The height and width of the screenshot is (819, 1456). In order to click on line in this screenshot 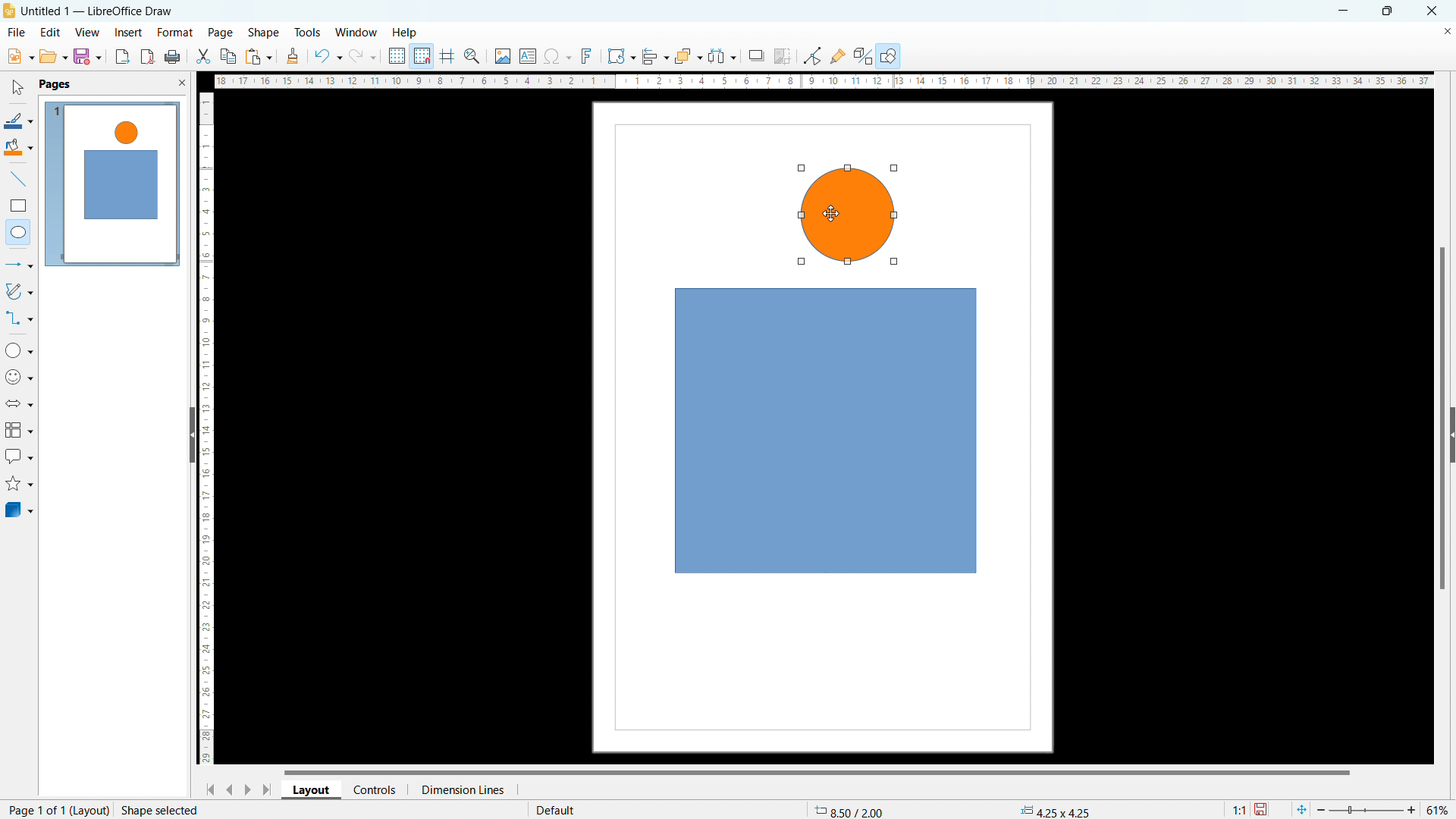, I will do `click(19, 180)`.